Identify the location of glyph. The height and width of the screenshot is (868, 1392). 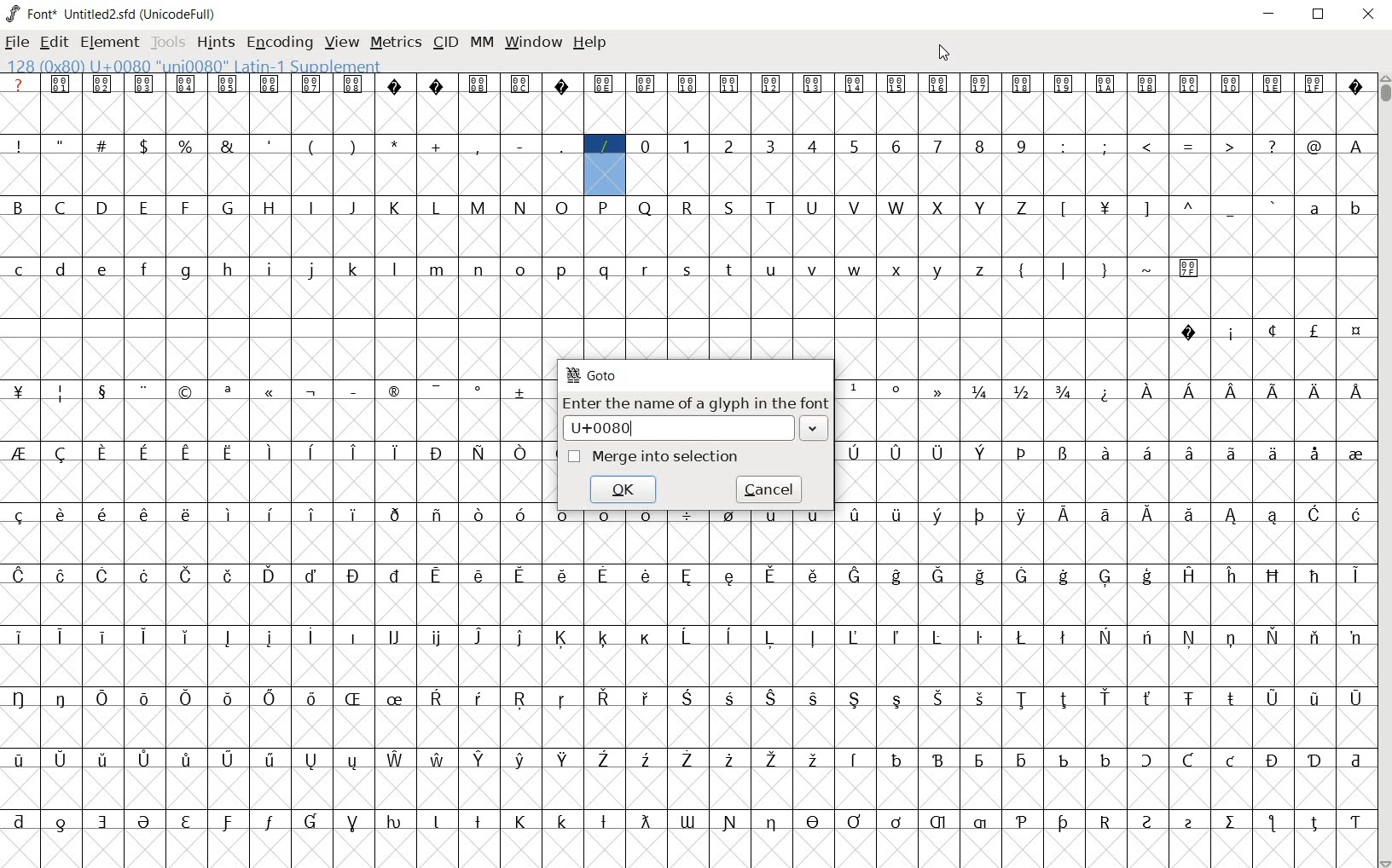
(815, 699).